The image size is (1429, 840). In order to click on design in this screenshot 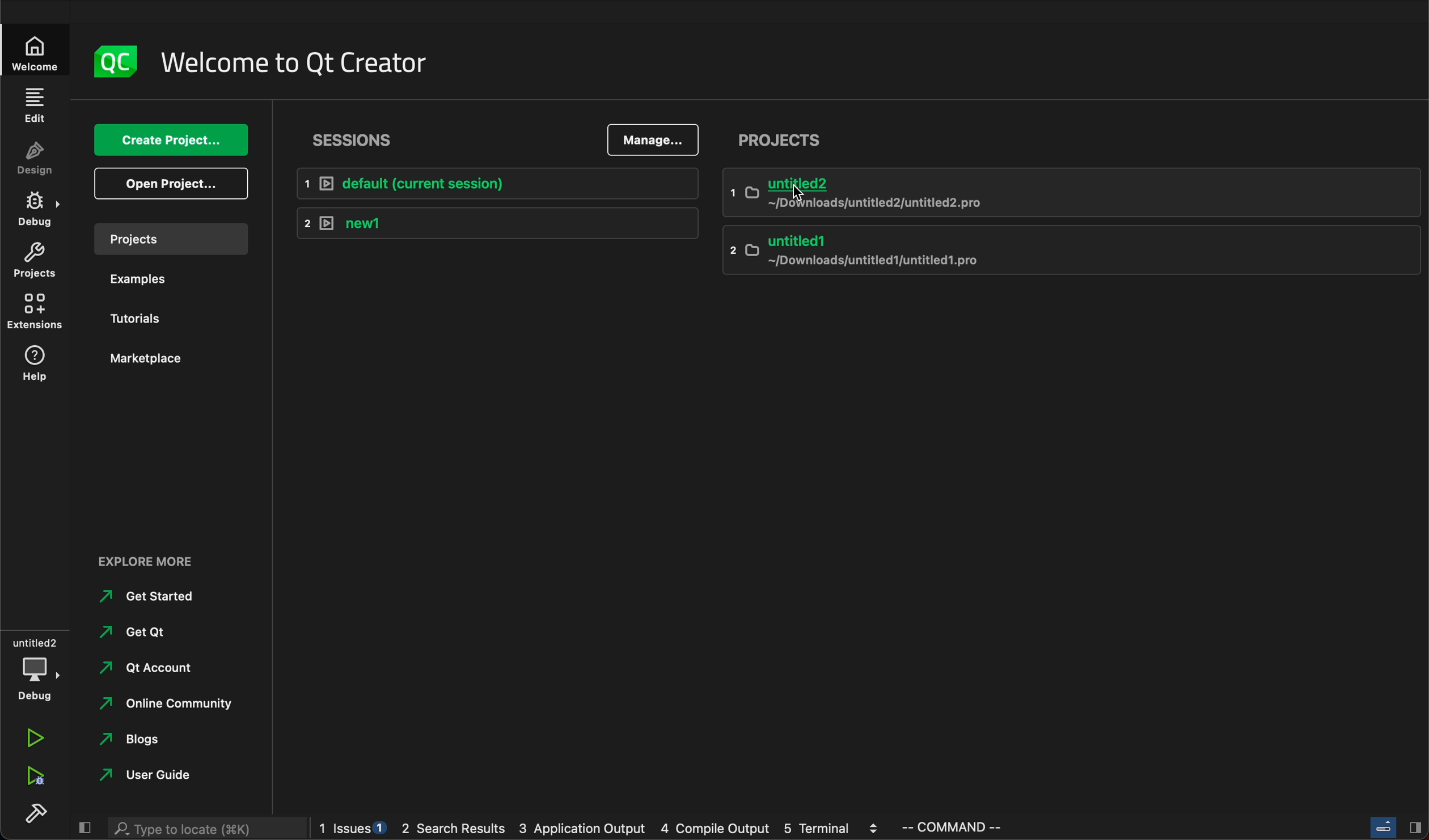, I will do `click(39, 156)`.